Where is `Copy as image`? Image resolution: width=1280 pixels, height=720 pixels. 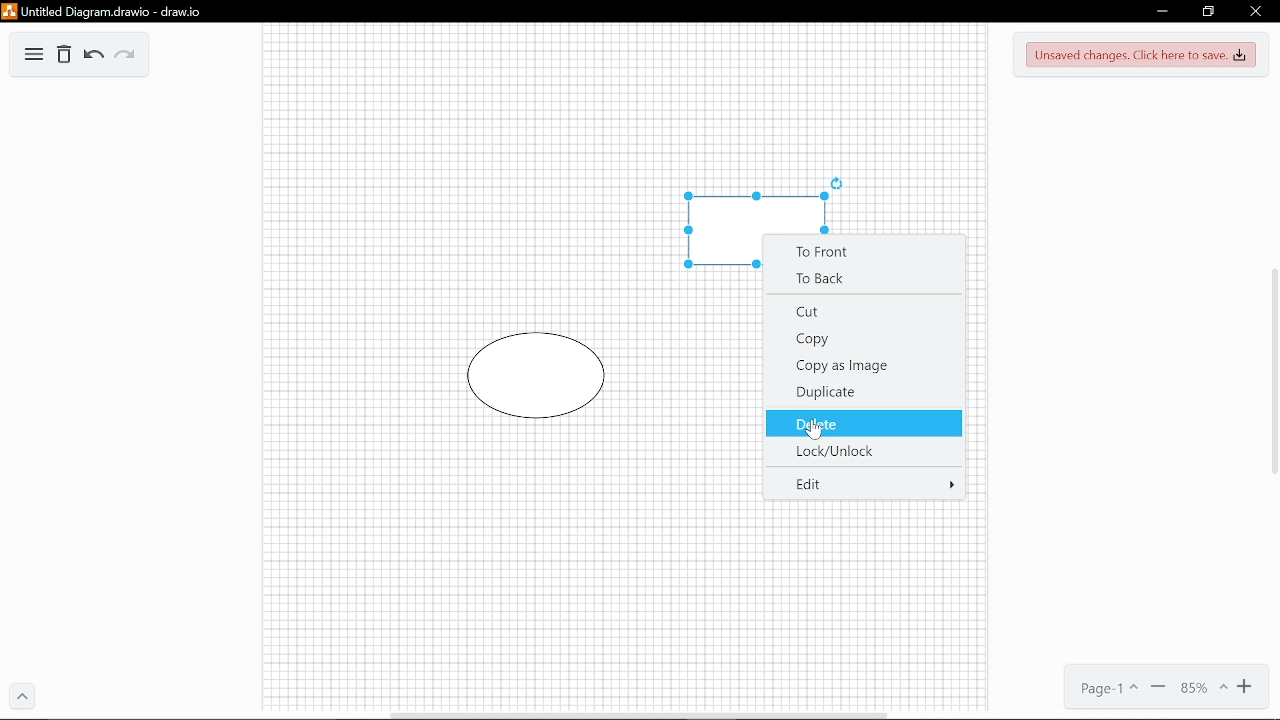
Copy as image is located at coordinates (864, 364).